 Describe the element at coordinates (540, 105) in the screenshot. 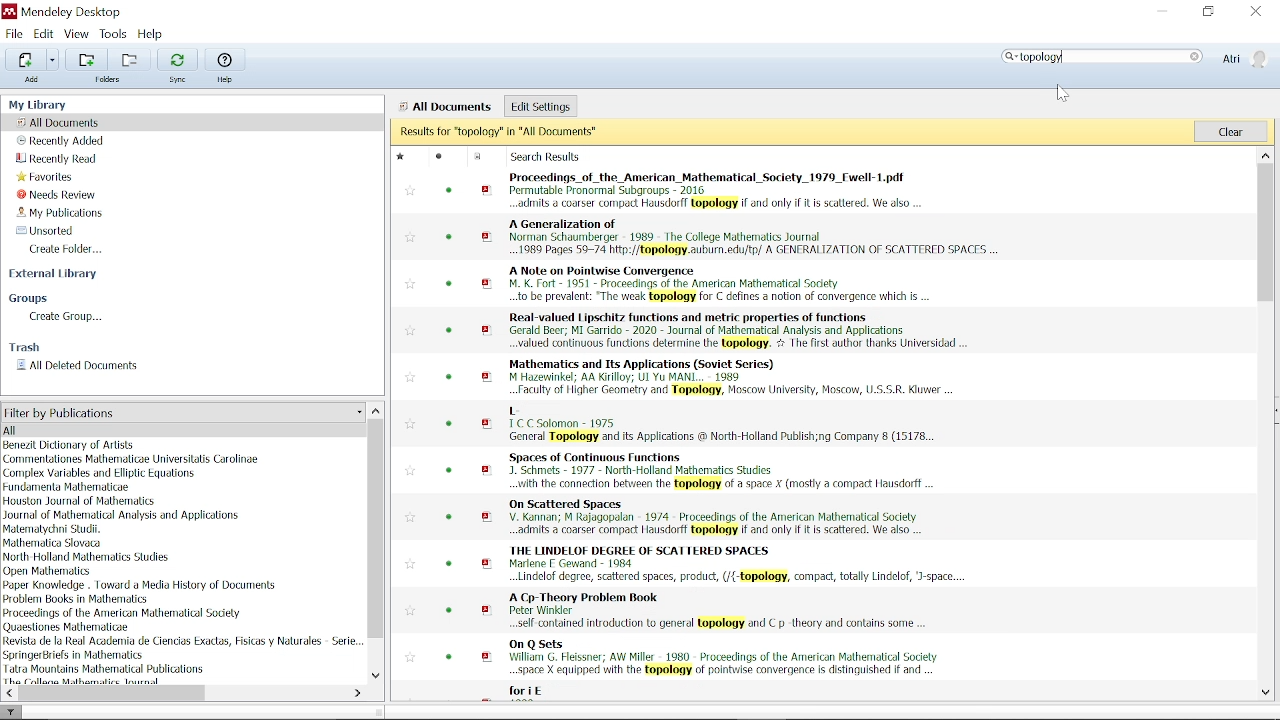

I see `Edit settings` at that location.